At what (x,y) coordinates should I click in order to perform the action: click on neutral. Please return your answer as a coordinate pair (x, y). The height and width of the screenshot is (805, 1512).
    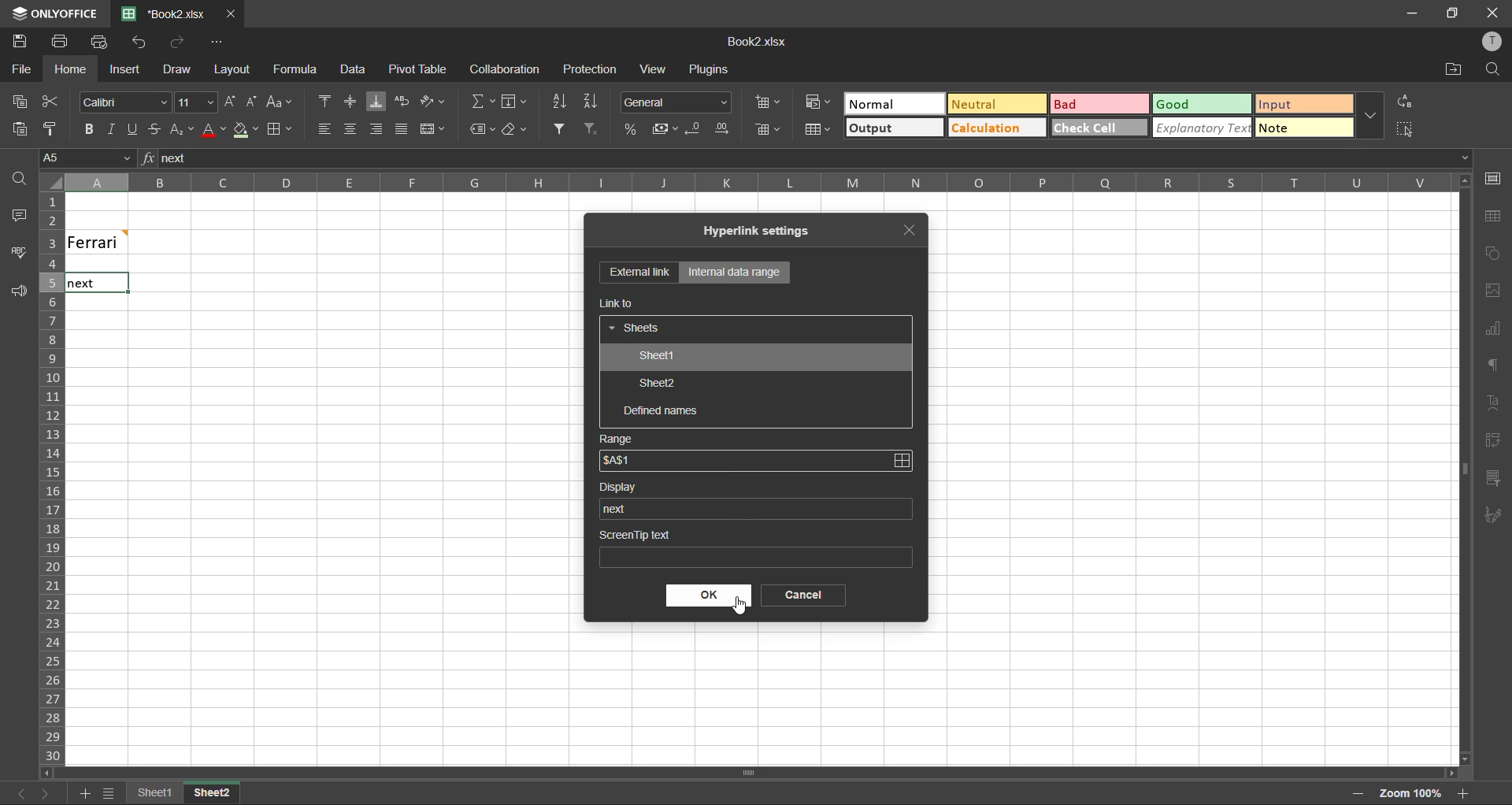
    Looking at the image, I should click on (991, 102).